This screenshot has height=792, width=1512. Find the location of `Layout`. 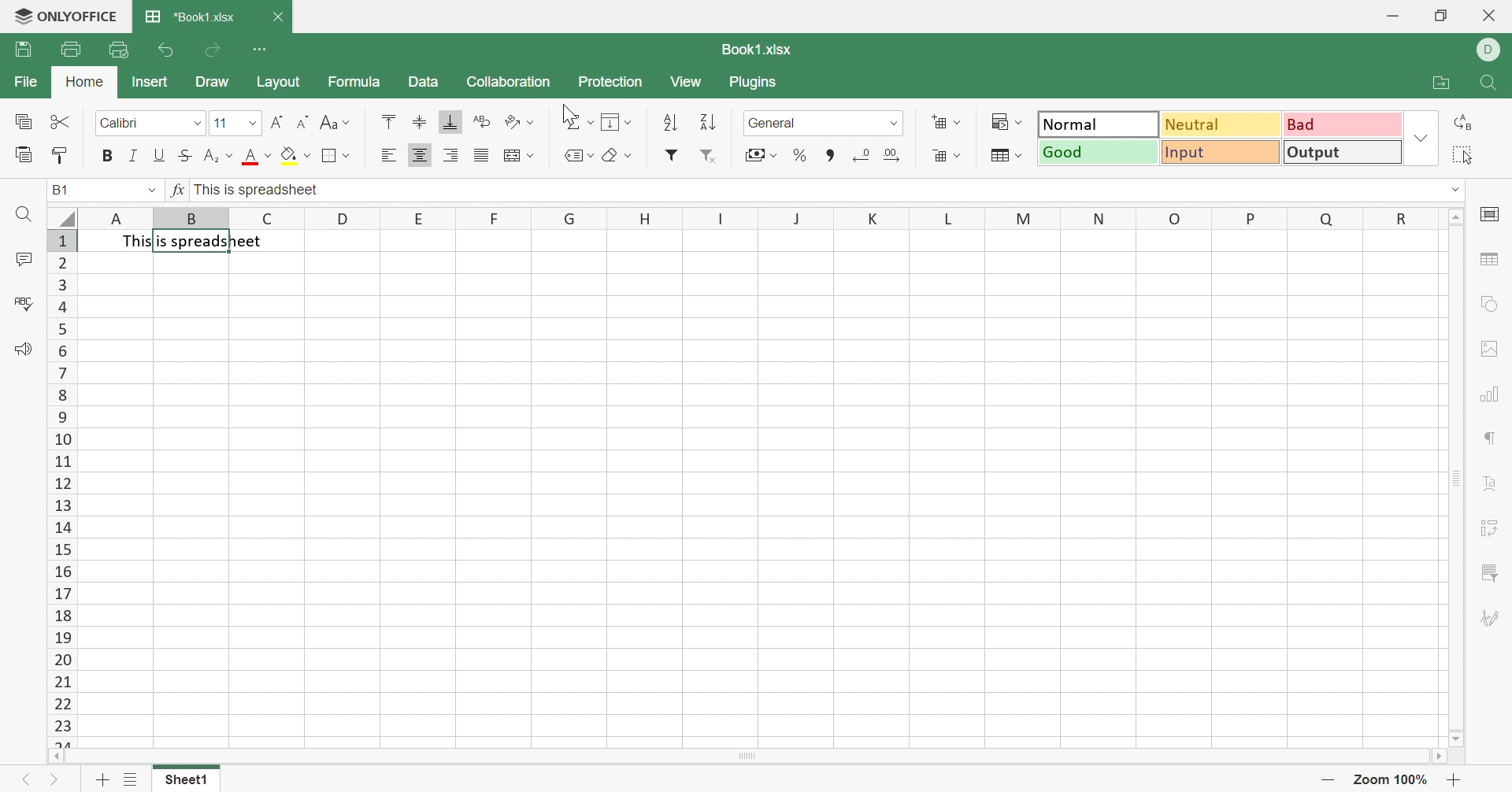

Layout is located at coordinates (282, 81).